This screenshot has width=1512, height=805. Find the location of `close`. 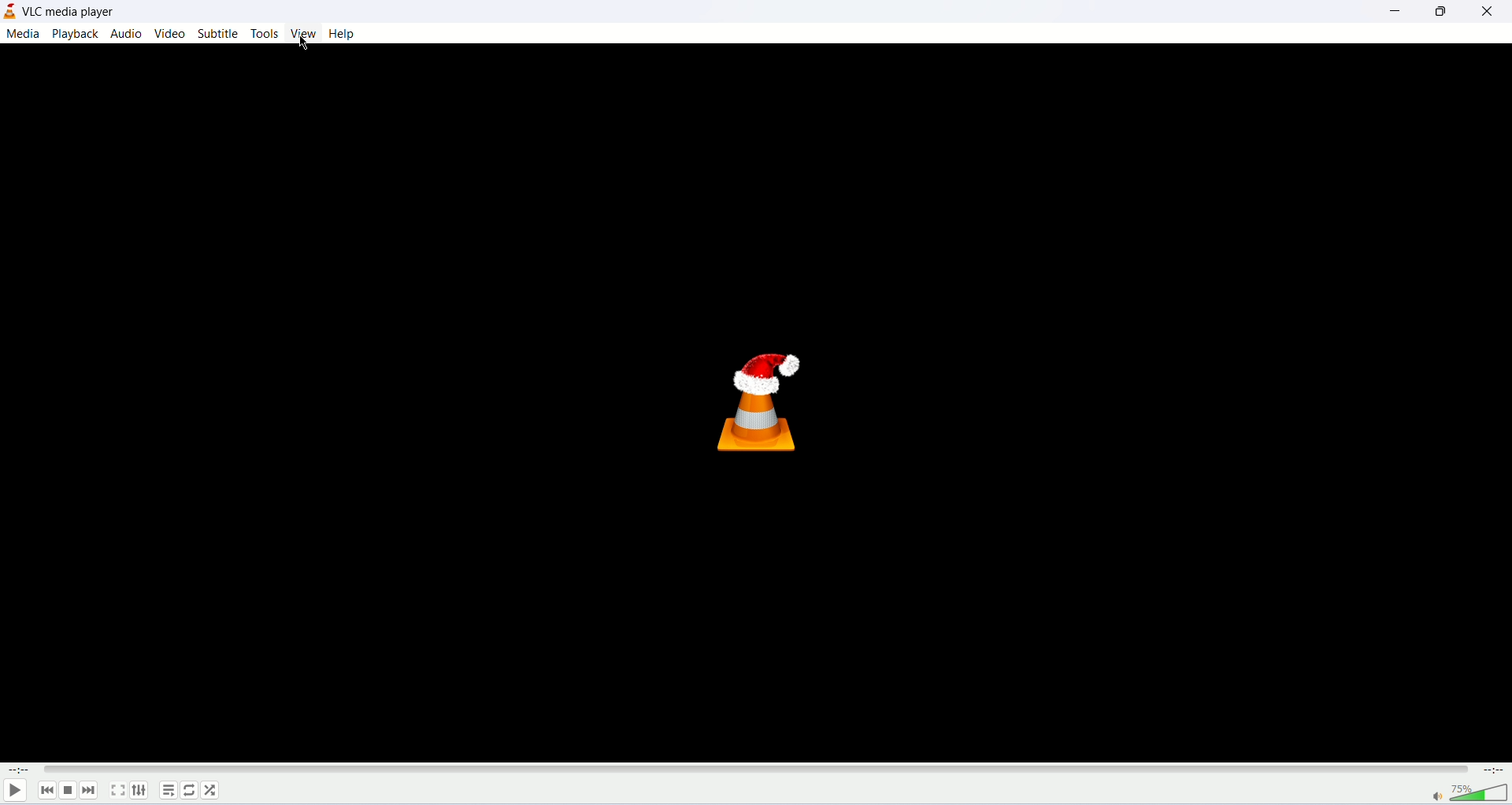

close is located at coordinates (1489, 12).